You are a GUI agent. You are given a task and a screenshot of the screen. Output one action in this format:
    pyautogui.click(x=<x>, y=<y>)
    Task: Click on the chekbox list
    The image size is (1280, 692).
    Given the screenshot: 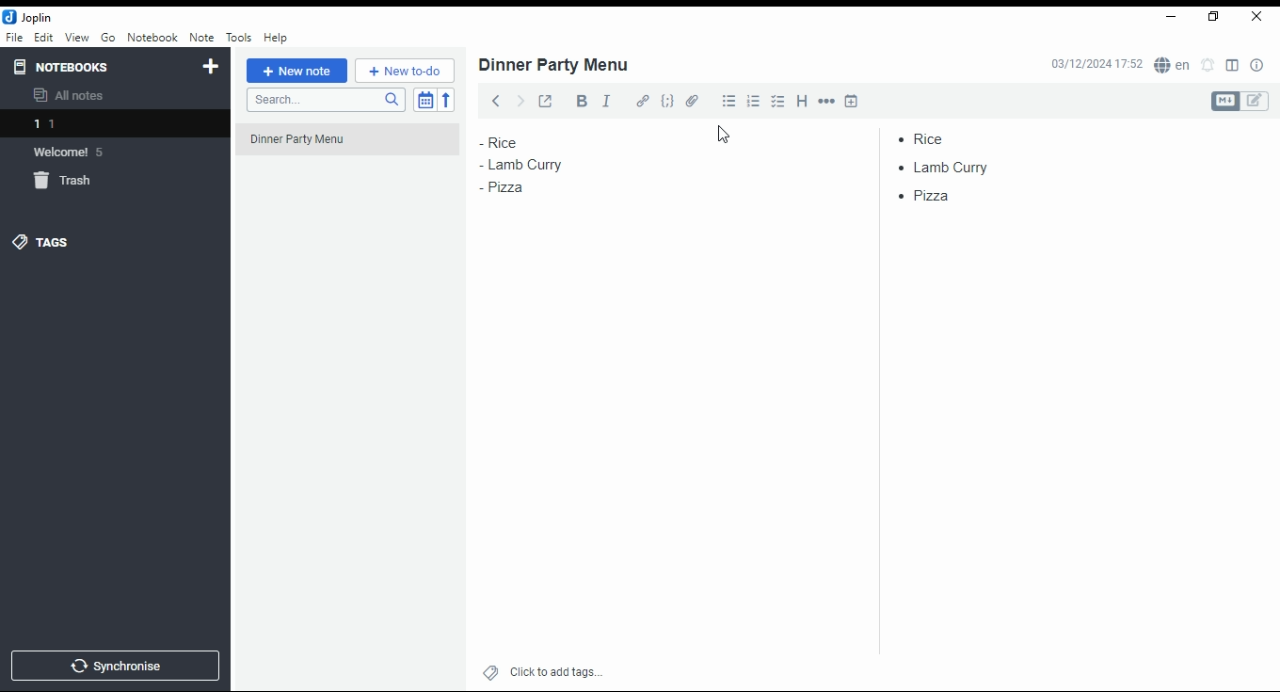 What is the action you would take?
    pyautogui.click(x=779, y=101)
    